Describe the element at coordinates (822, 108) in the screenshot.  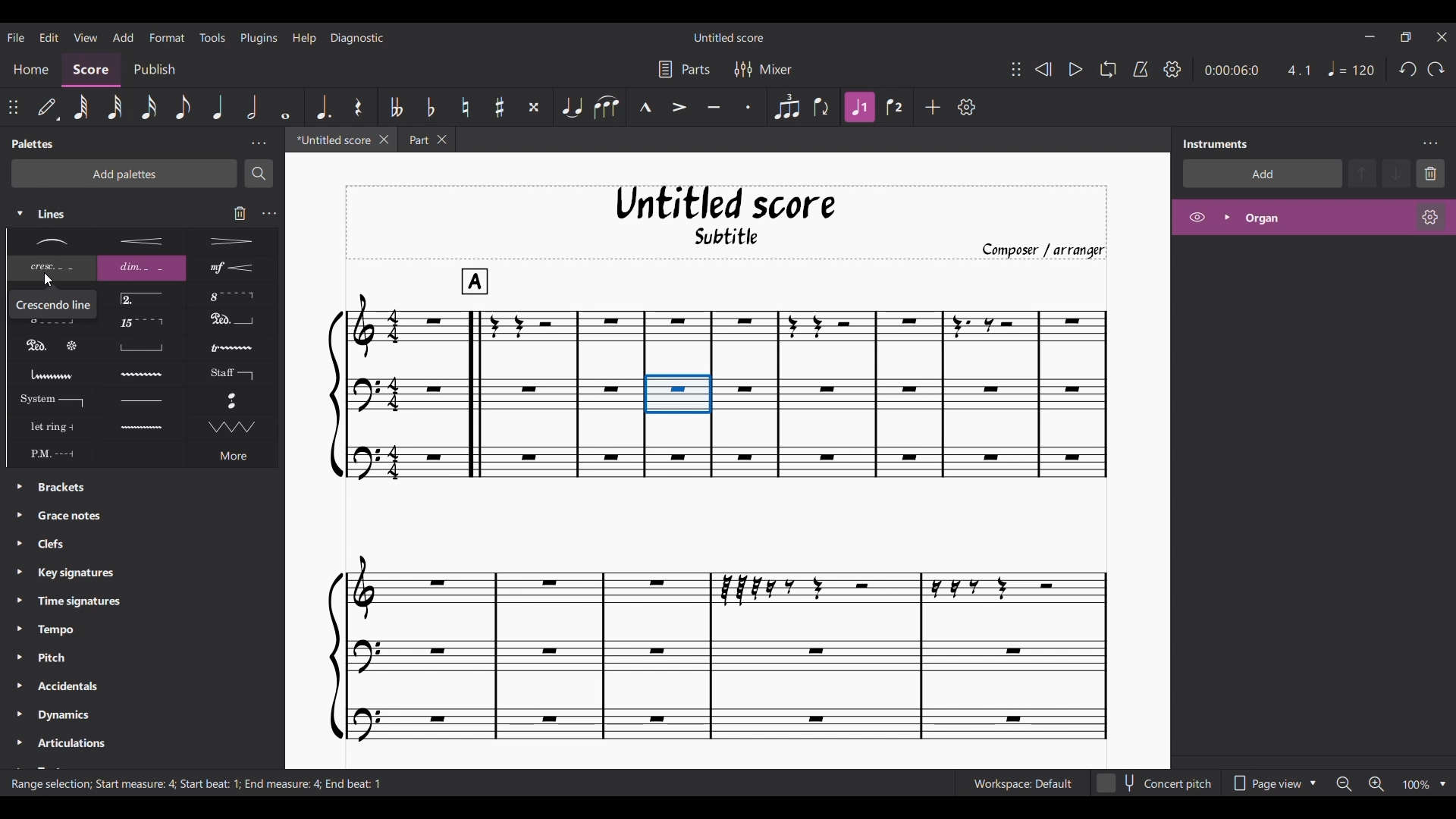
I see `Flip direction` at that location.